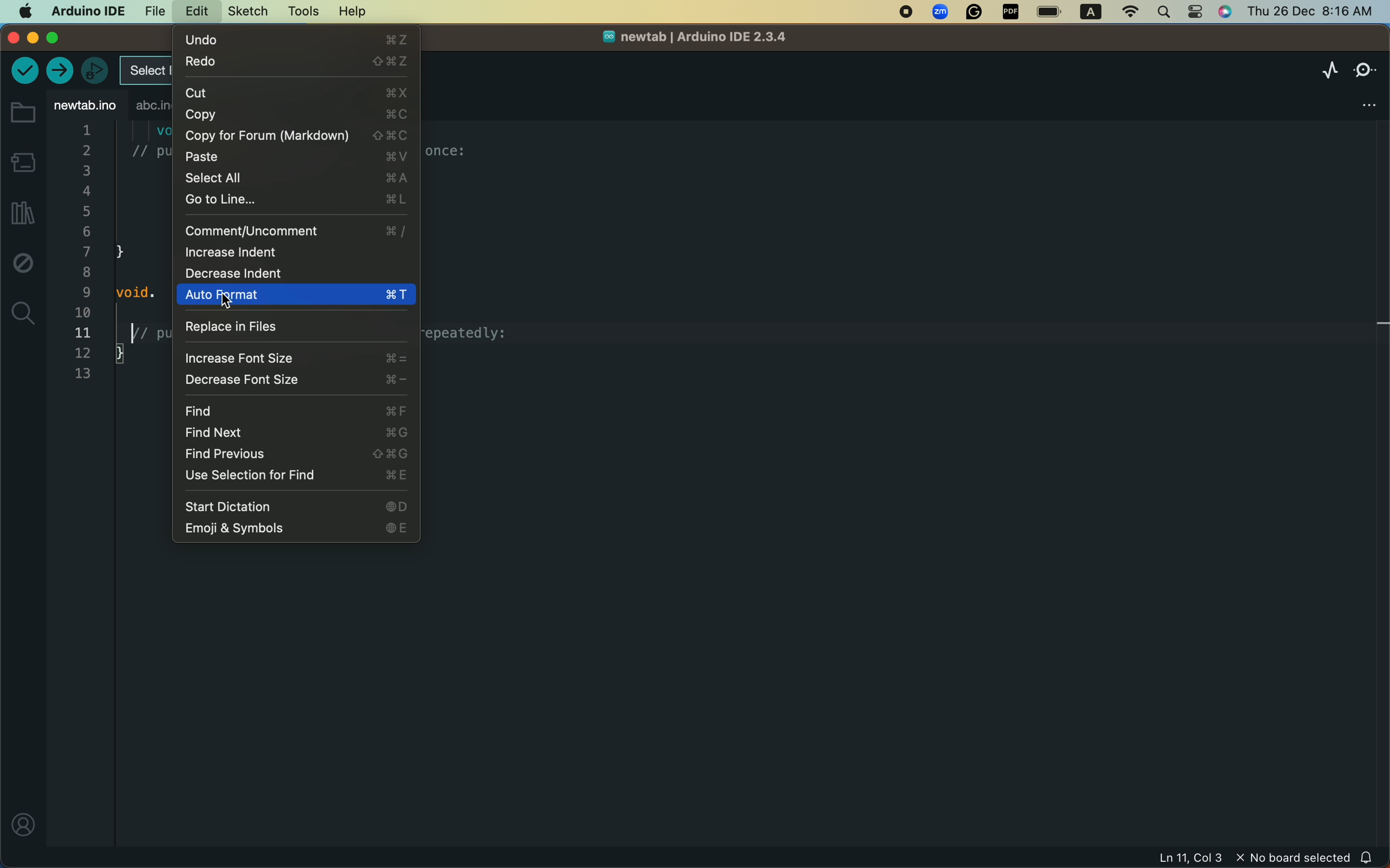 This screenshot has width=1390, height=868. What do you see at coordinates (84, 10) in the screenshot?
I see `arduiono` at bounding box center [84, 10].